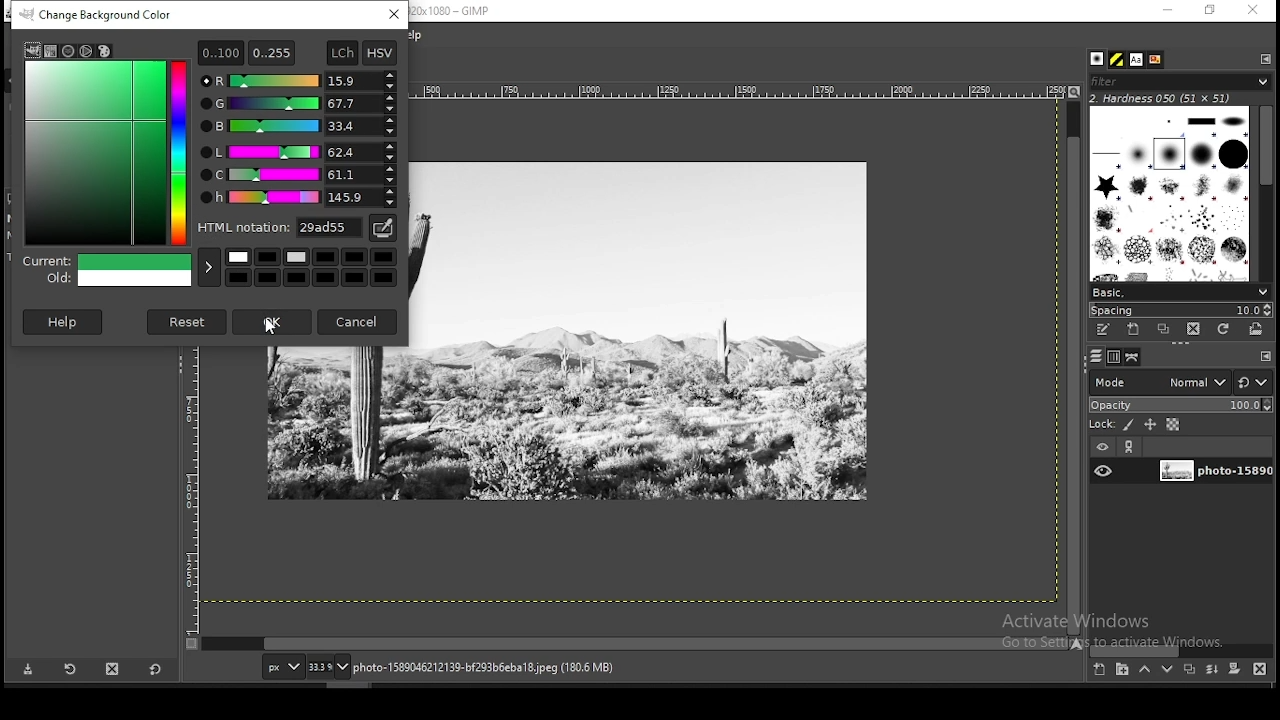 This screenshot has width=1280, height=720. Describe the element at coordinates (395, 14) in the screenshot. I see `close window` at that location.